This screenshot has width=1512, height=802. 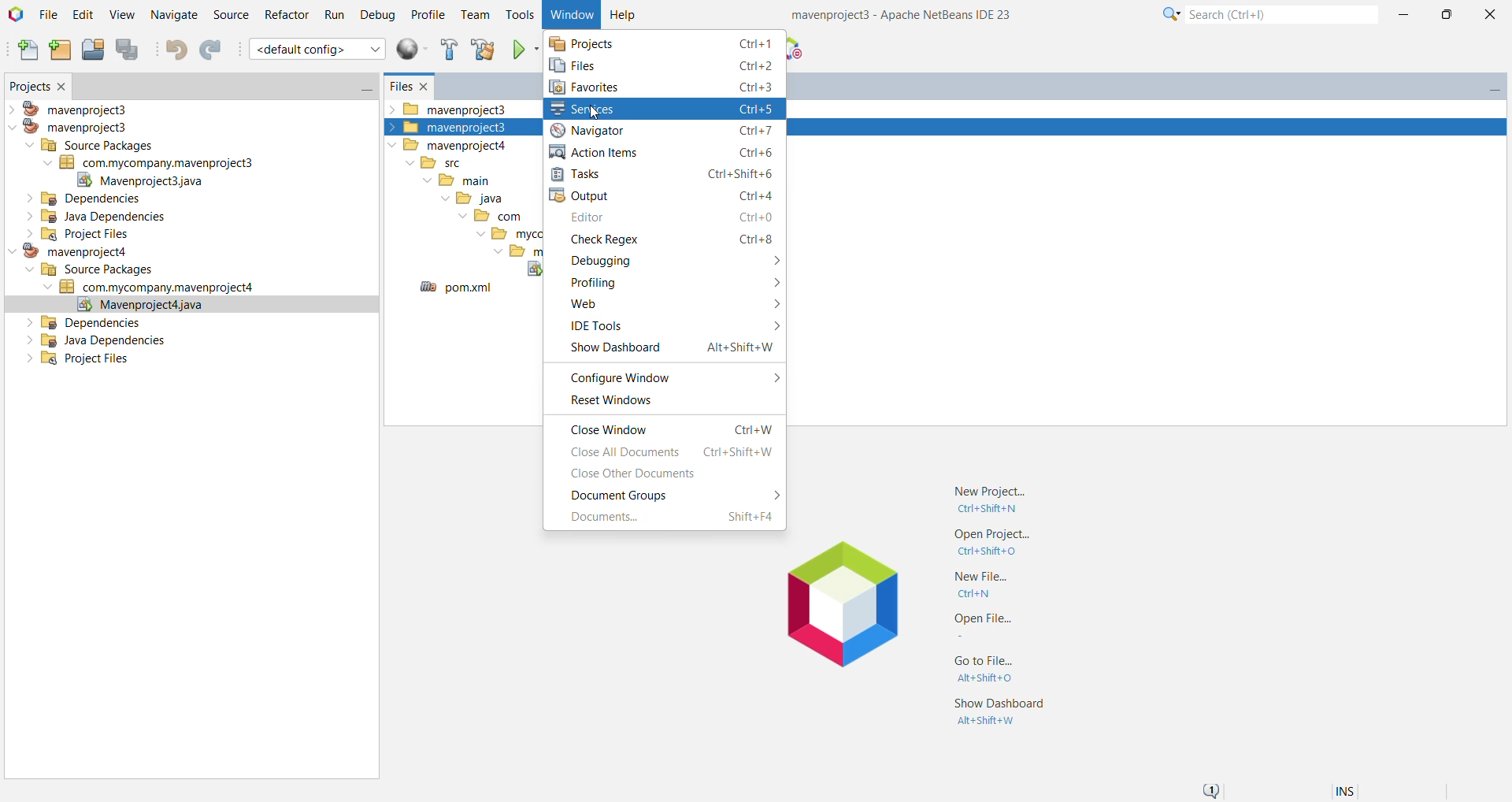 I want to click on , so click(x=415, y=50).